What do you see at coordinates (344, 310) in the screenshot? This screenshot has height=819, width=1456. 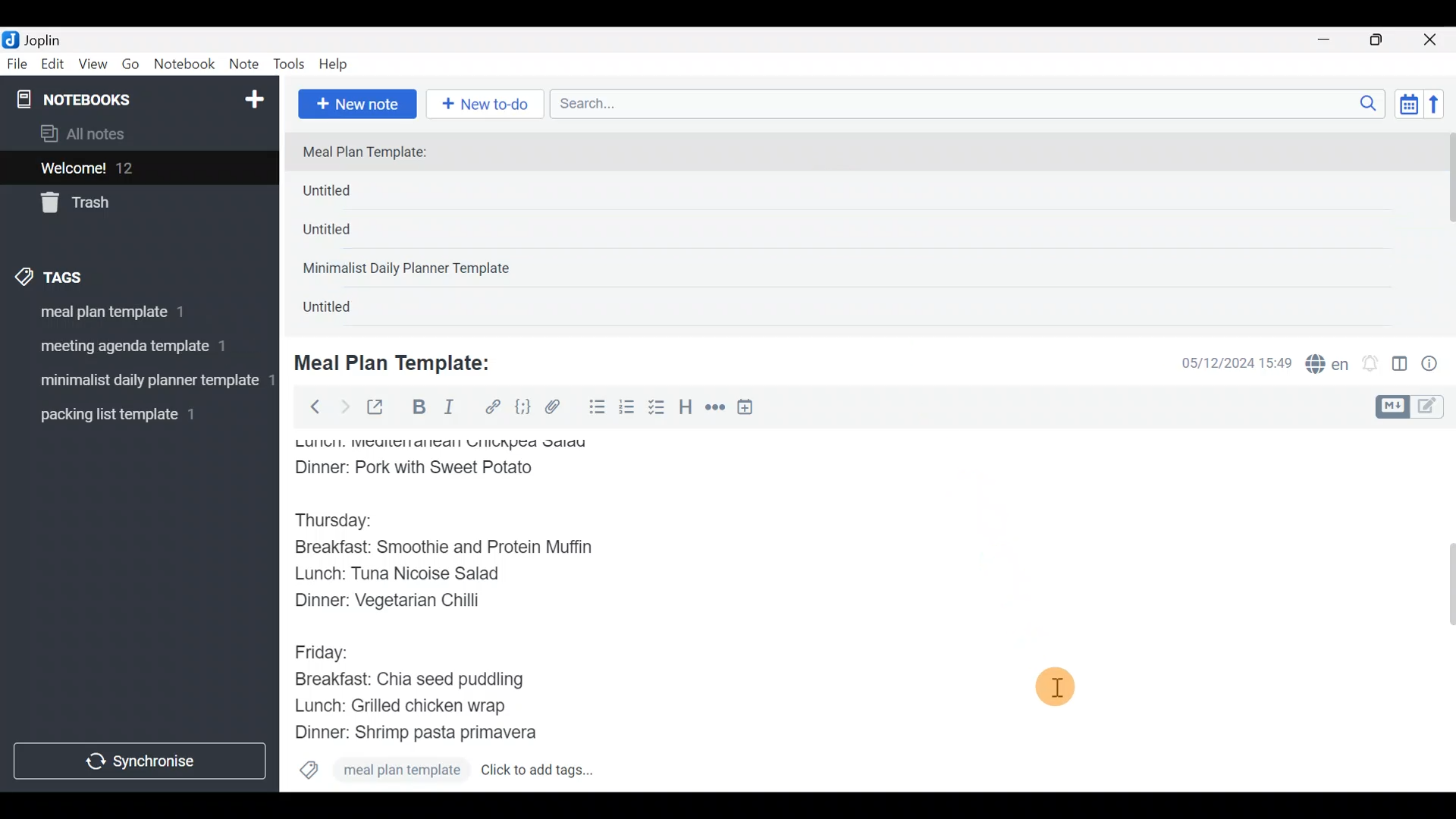 I see `Untitled` at bounding box center [344, 310].